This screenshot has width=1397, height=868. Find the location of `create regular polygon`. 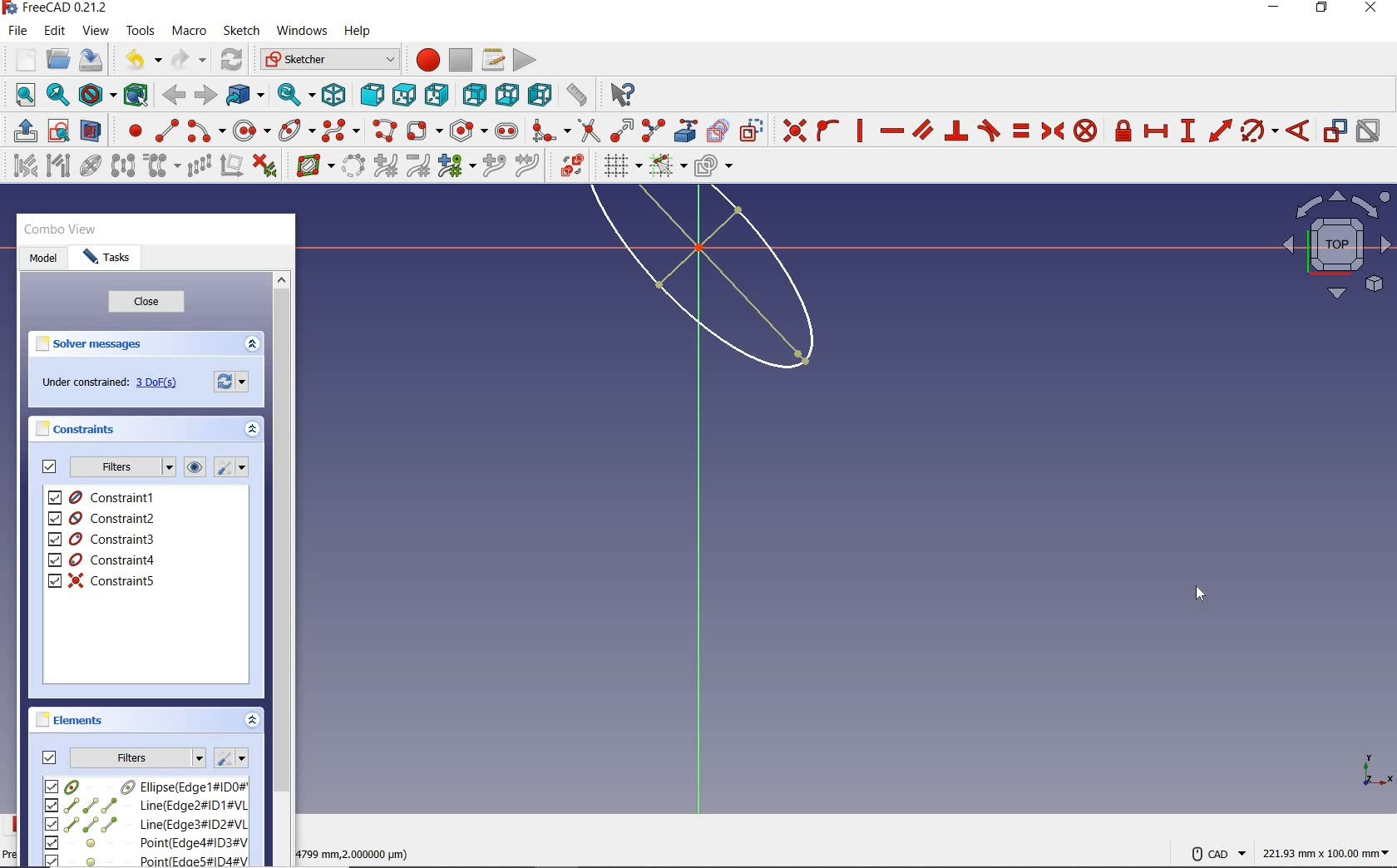

create regular polygon is located at coordinates (469, 131).